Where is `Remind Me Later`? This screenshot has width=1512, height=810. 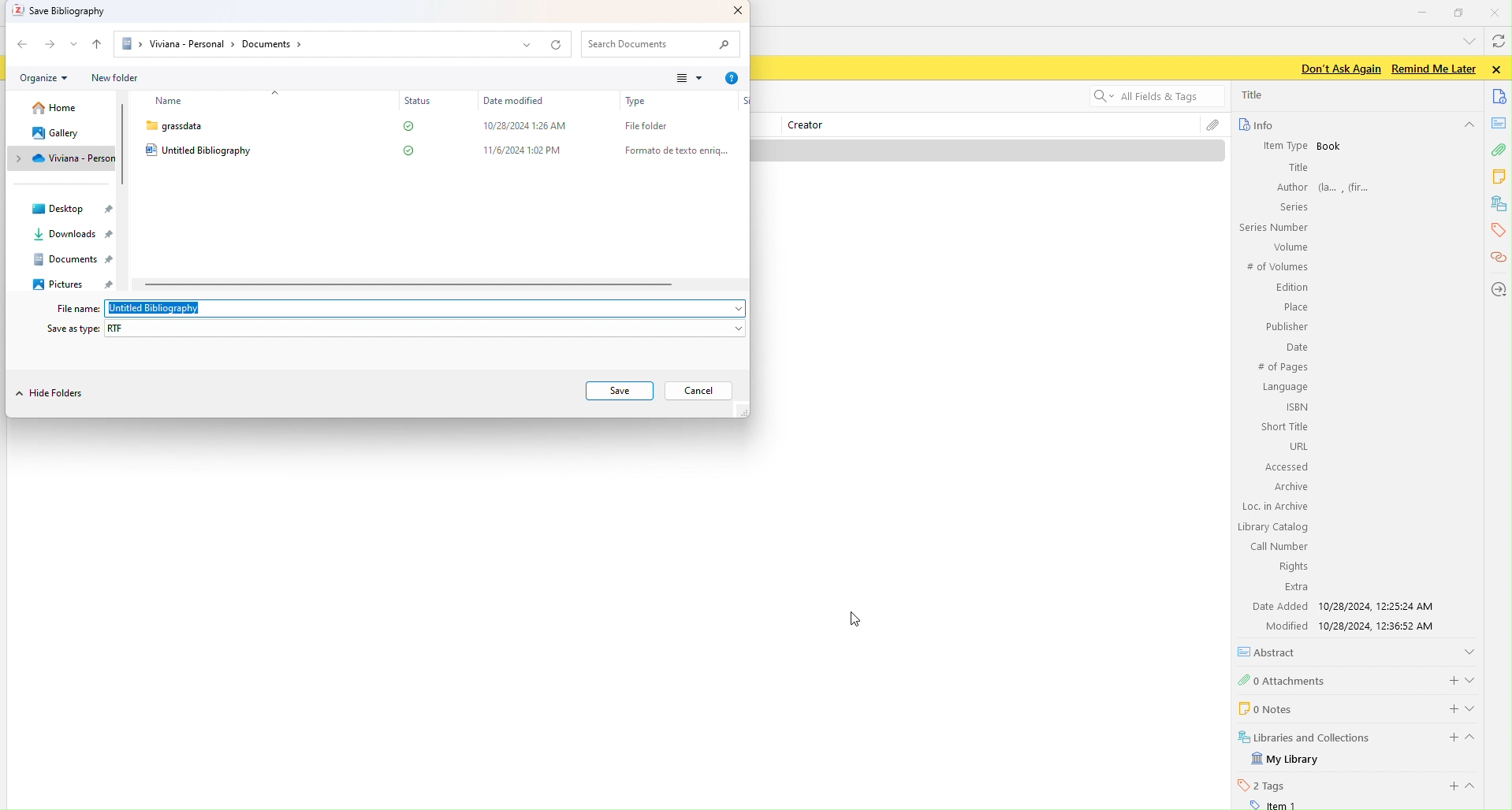 Remind Me Later is located at coordinates (1433, 69).